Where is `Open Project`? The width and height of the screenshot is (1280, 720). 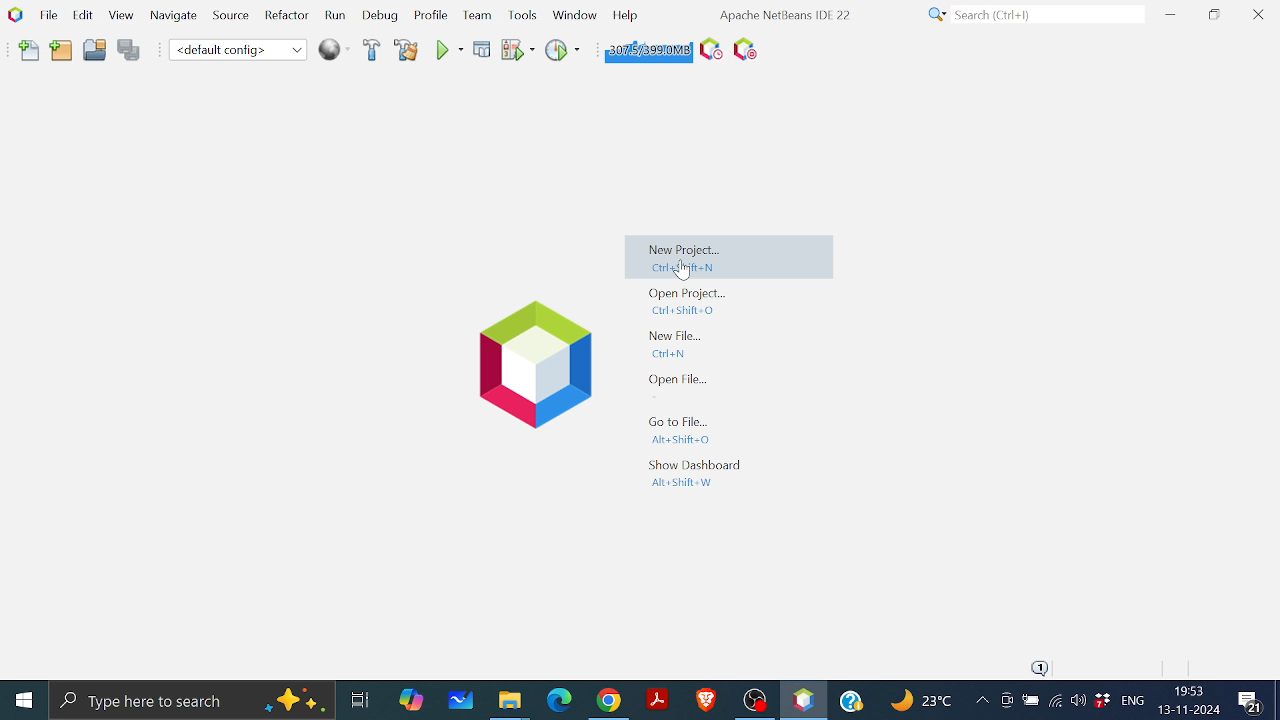 Open Project is located at coordinates (688, 301).